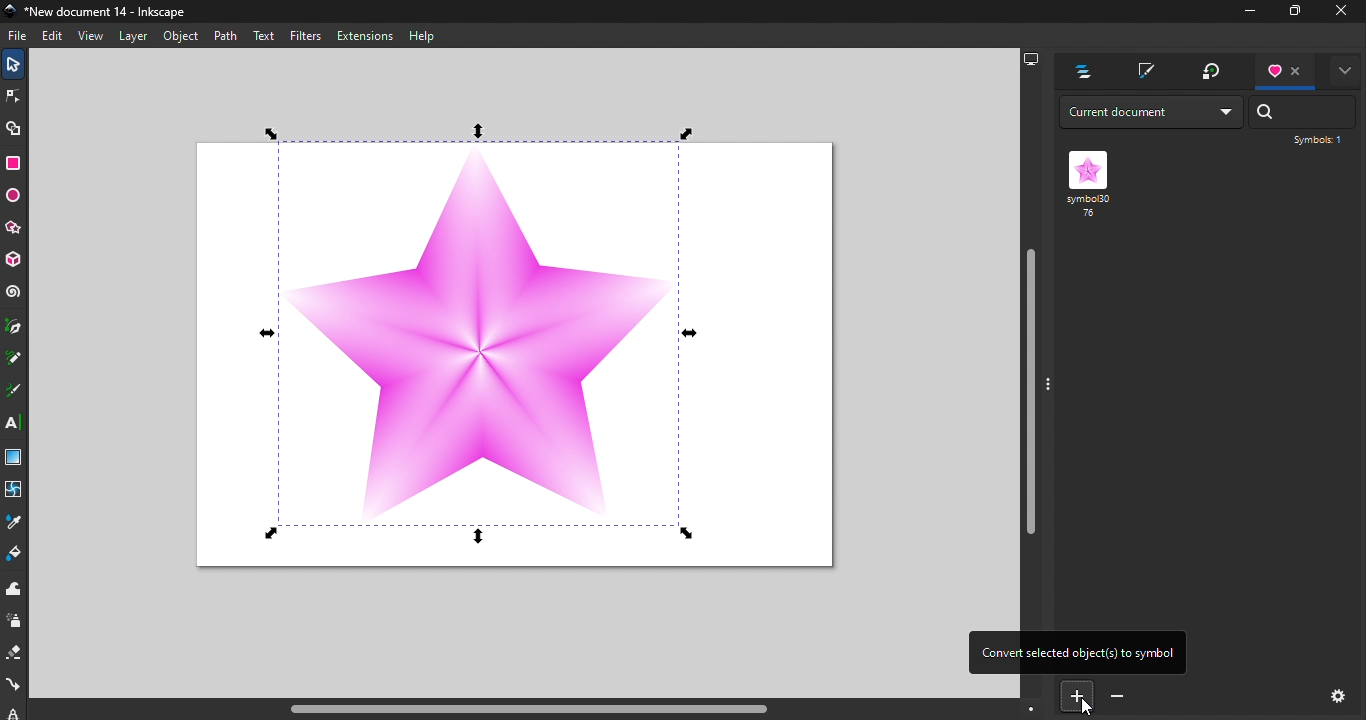 Image resolution: width=1366 pixels, height=720 pixels. I want to click on Convert selected symbol to object, so click(1112, 697).